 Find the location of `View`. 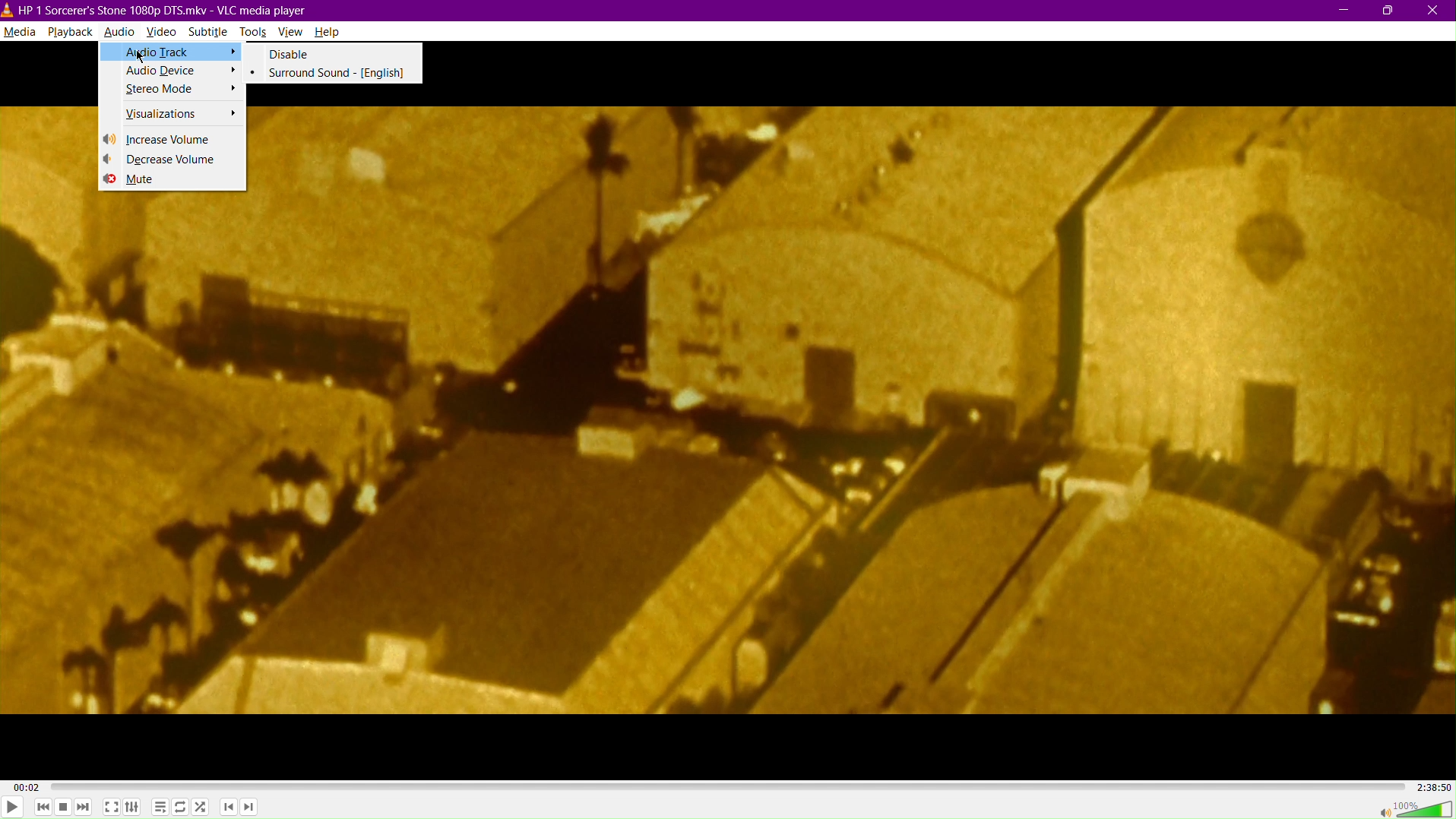

View is located at coordinates (293, 33).